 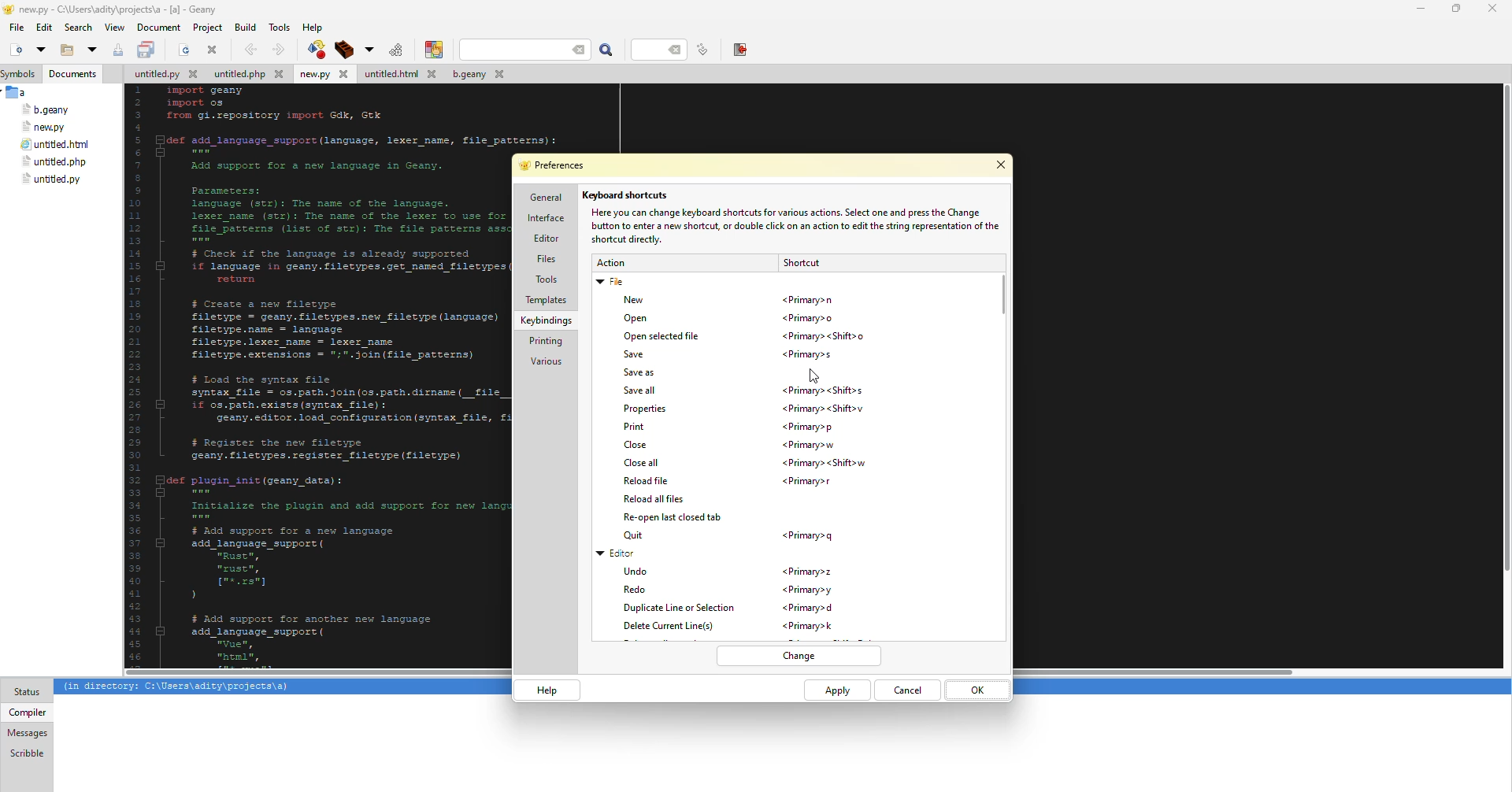 What do you see at coordinates (546, 299) in the screenshot?
I see `templates` at bounding box center [546, 299].